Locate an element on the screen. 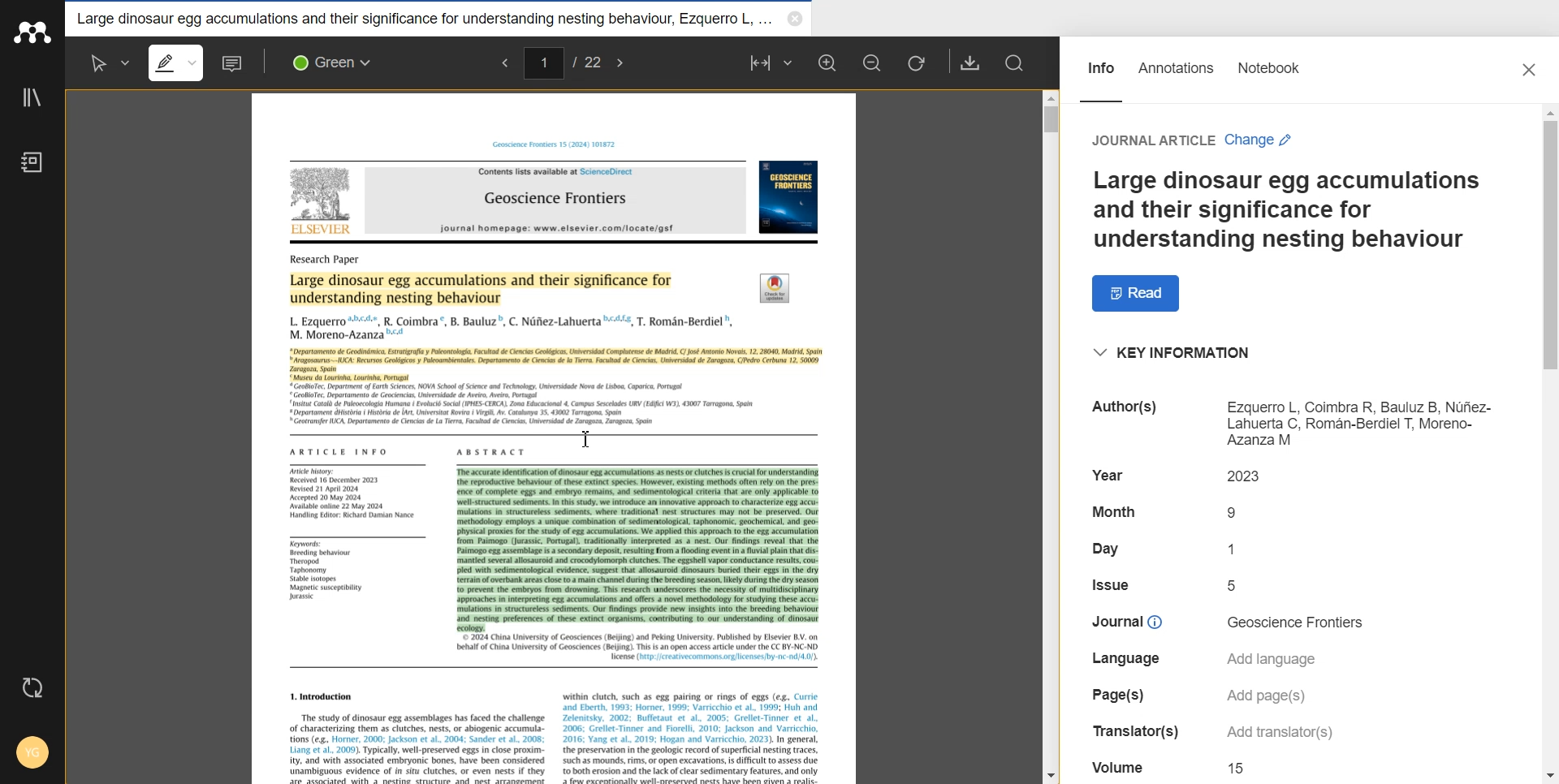 This screenshot has width=1559, height=784. Zoom out is located at coordinates (873, 62).